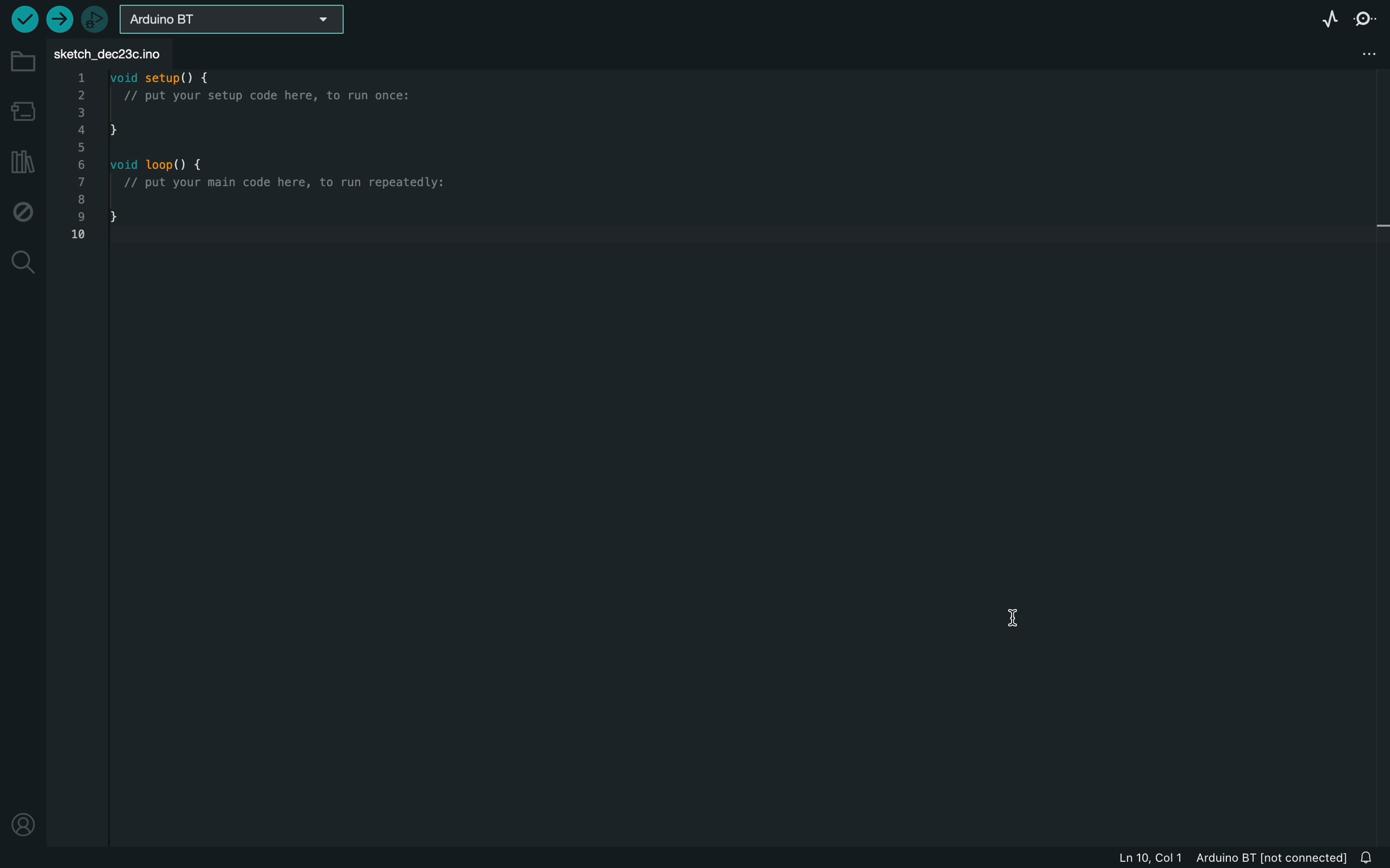 The width and height of the screenshot is (1390, 868). I want to click on verify, so click(22, 19).